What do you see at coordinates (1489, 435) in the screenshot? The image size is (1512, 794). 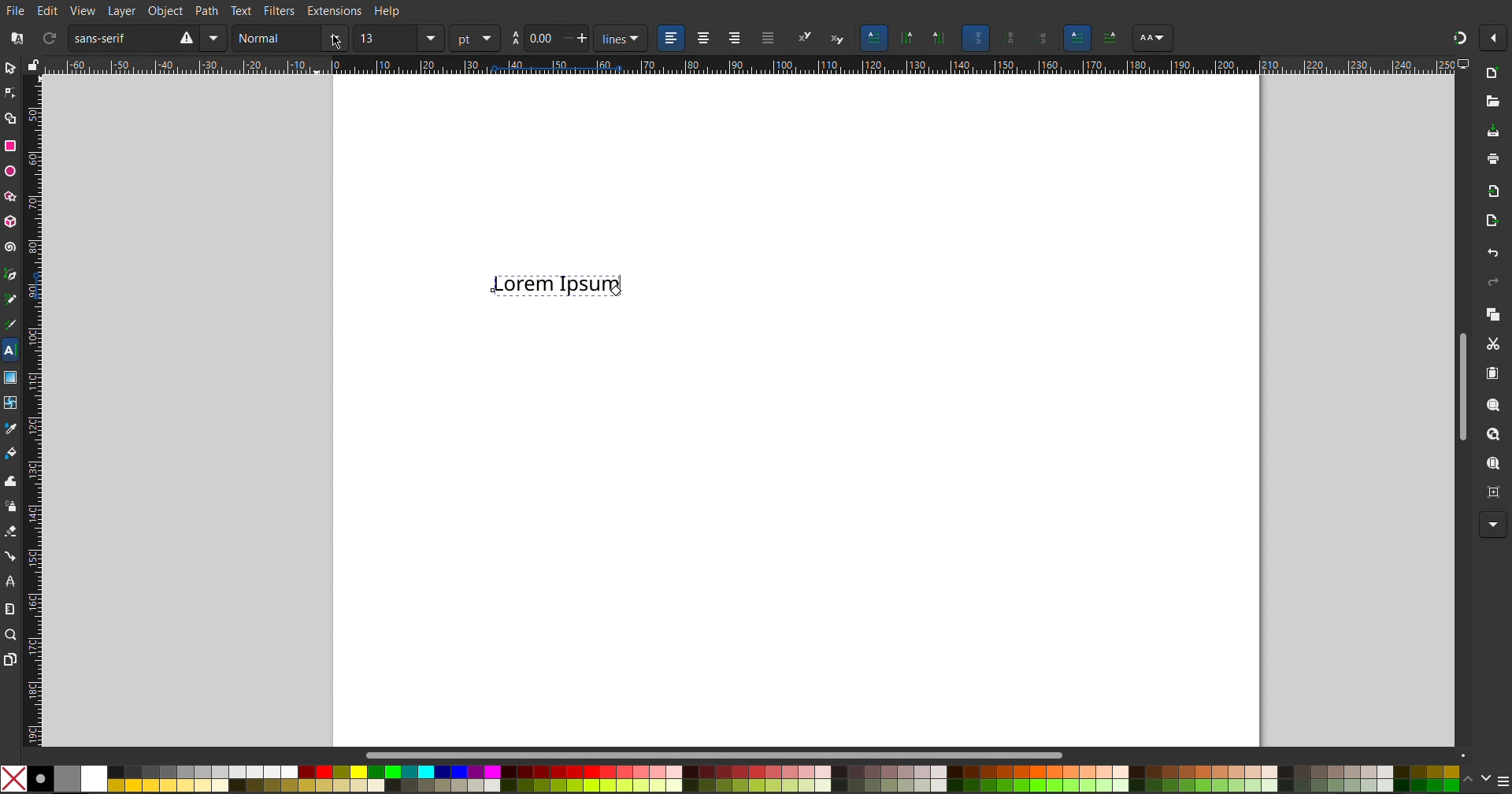 I see `Zoom Drawing` at bounding box center [1489, 435].